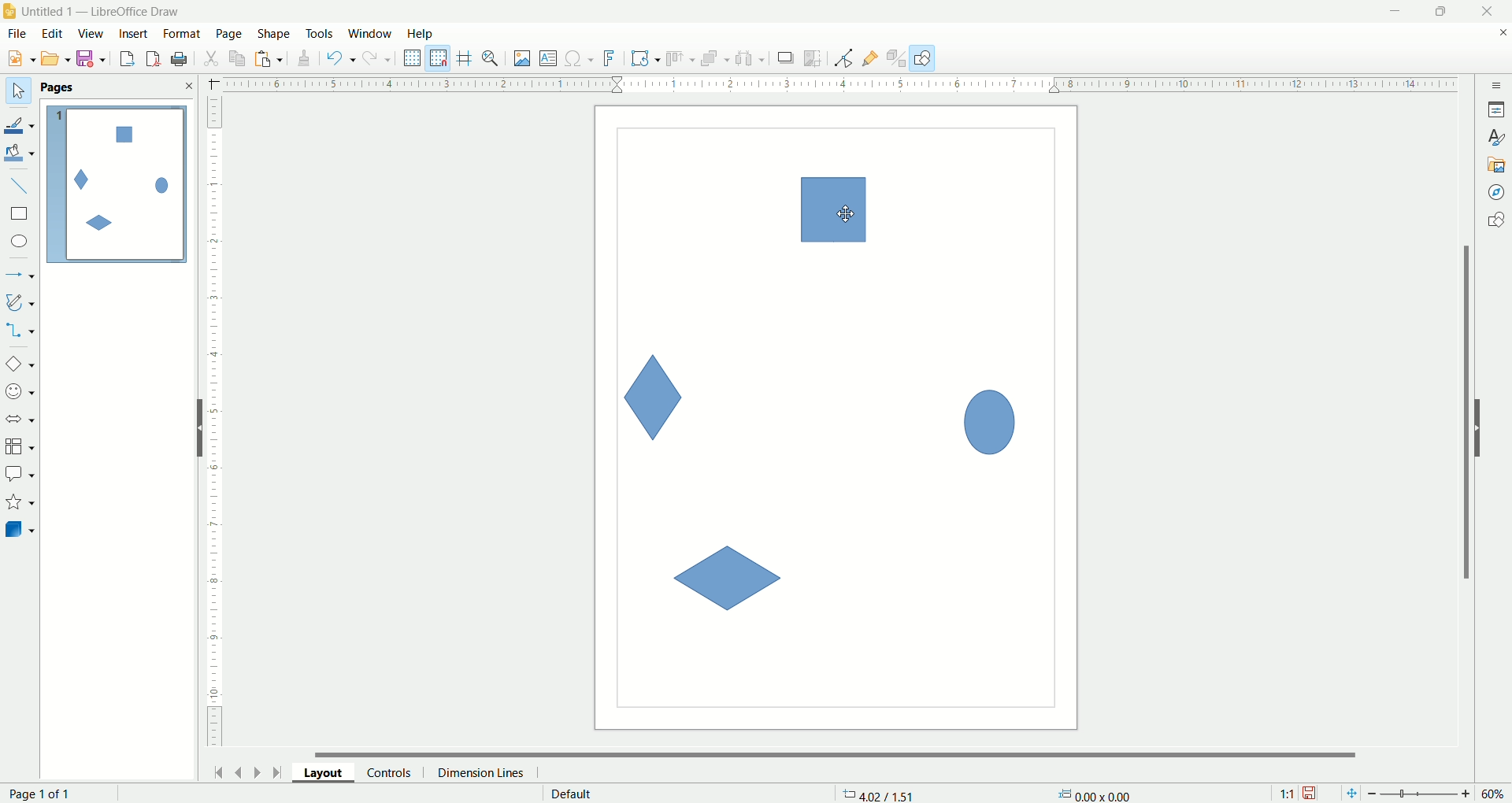 This screenshot has height=803, width=1512. I want to click on format, so click(183, 35).